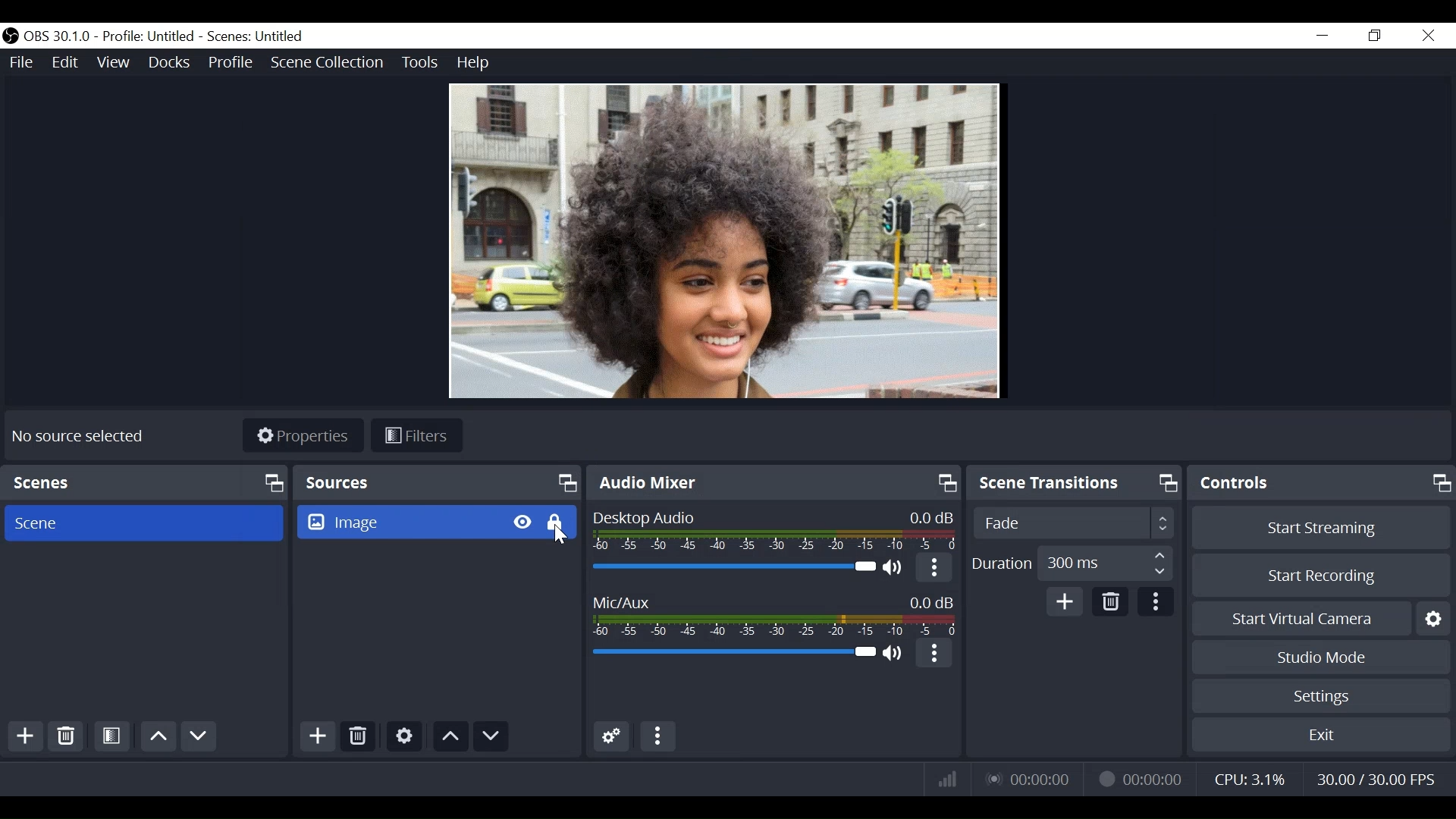 The image size is (1456, 819). What do you see at coordinates (896, 654) in the screenshot?
I see `(un)mute` at bounding box center [896, 654].